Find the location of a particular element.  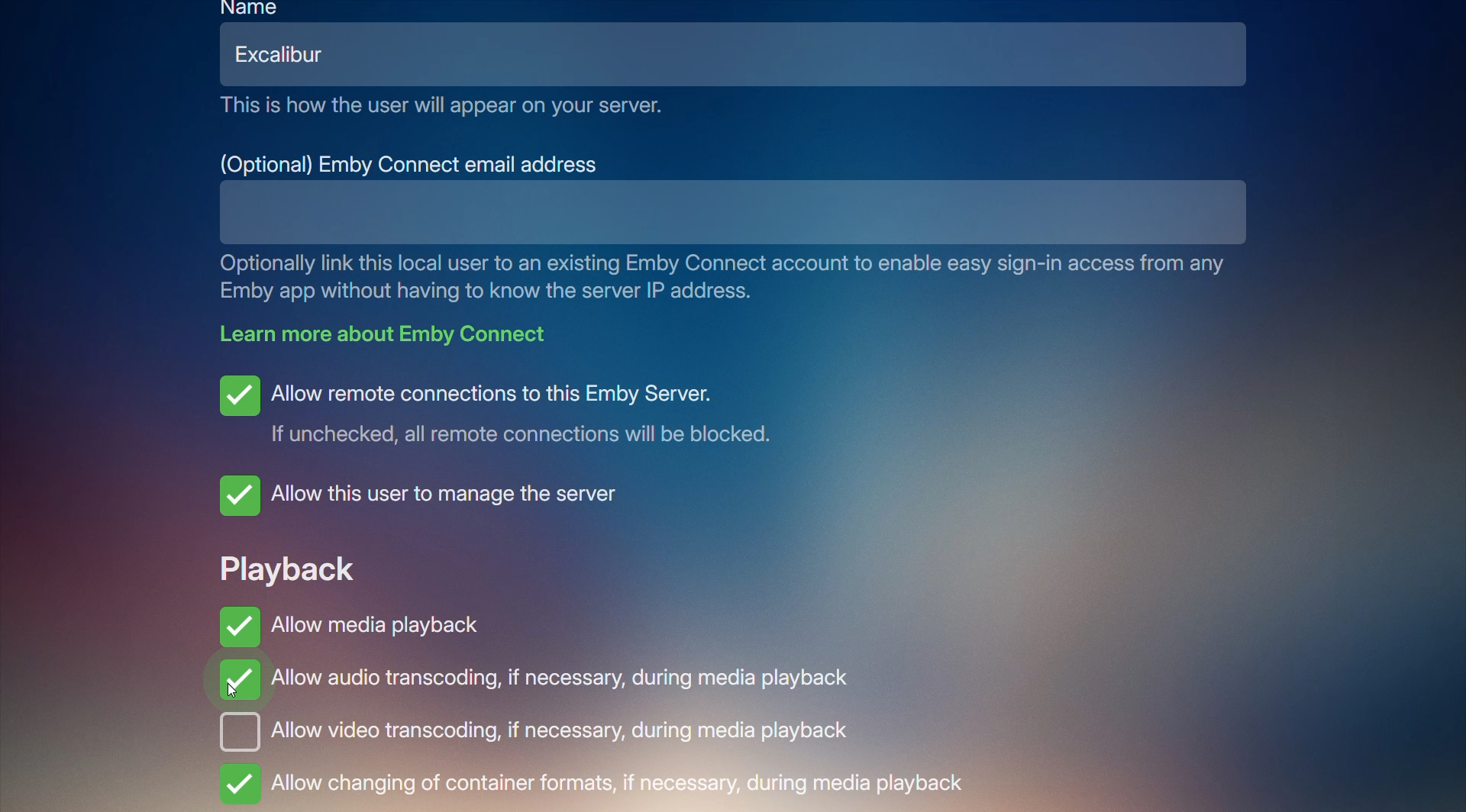

(Optional) Emby Connect email address is located at coordinates (412, 163).